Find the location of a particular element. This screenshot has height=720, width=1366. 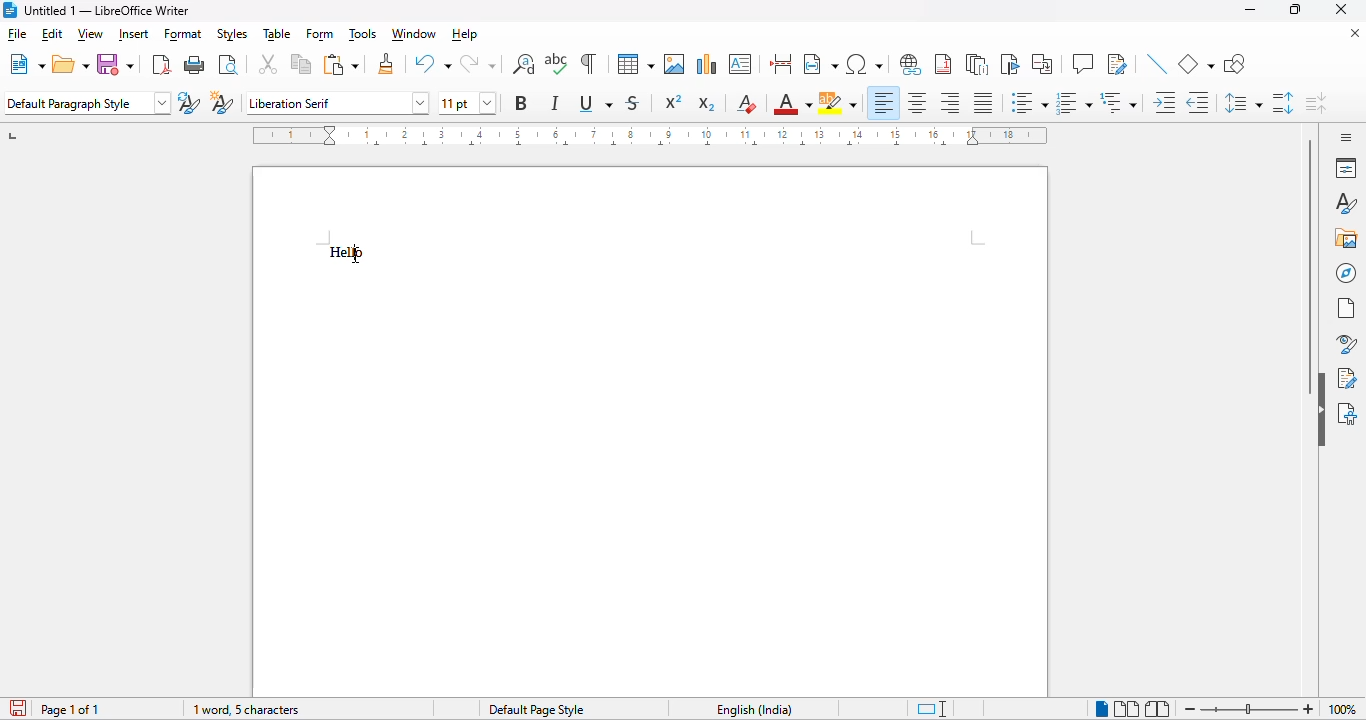

zoom out is located at coordinates (1188, 710).